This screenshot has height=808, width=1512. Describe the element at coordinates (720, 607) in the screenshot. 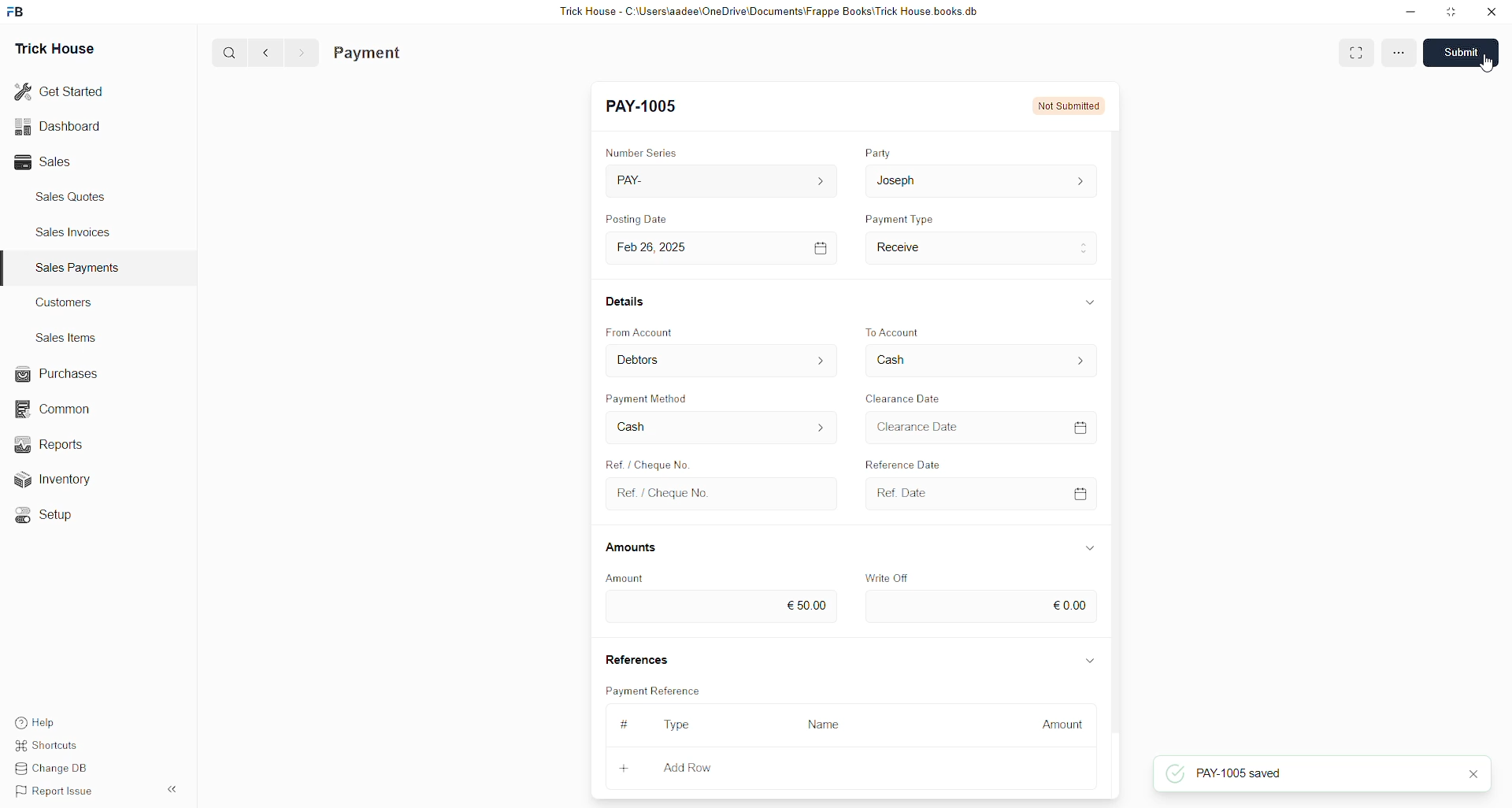

I see `€50.00` at that location.